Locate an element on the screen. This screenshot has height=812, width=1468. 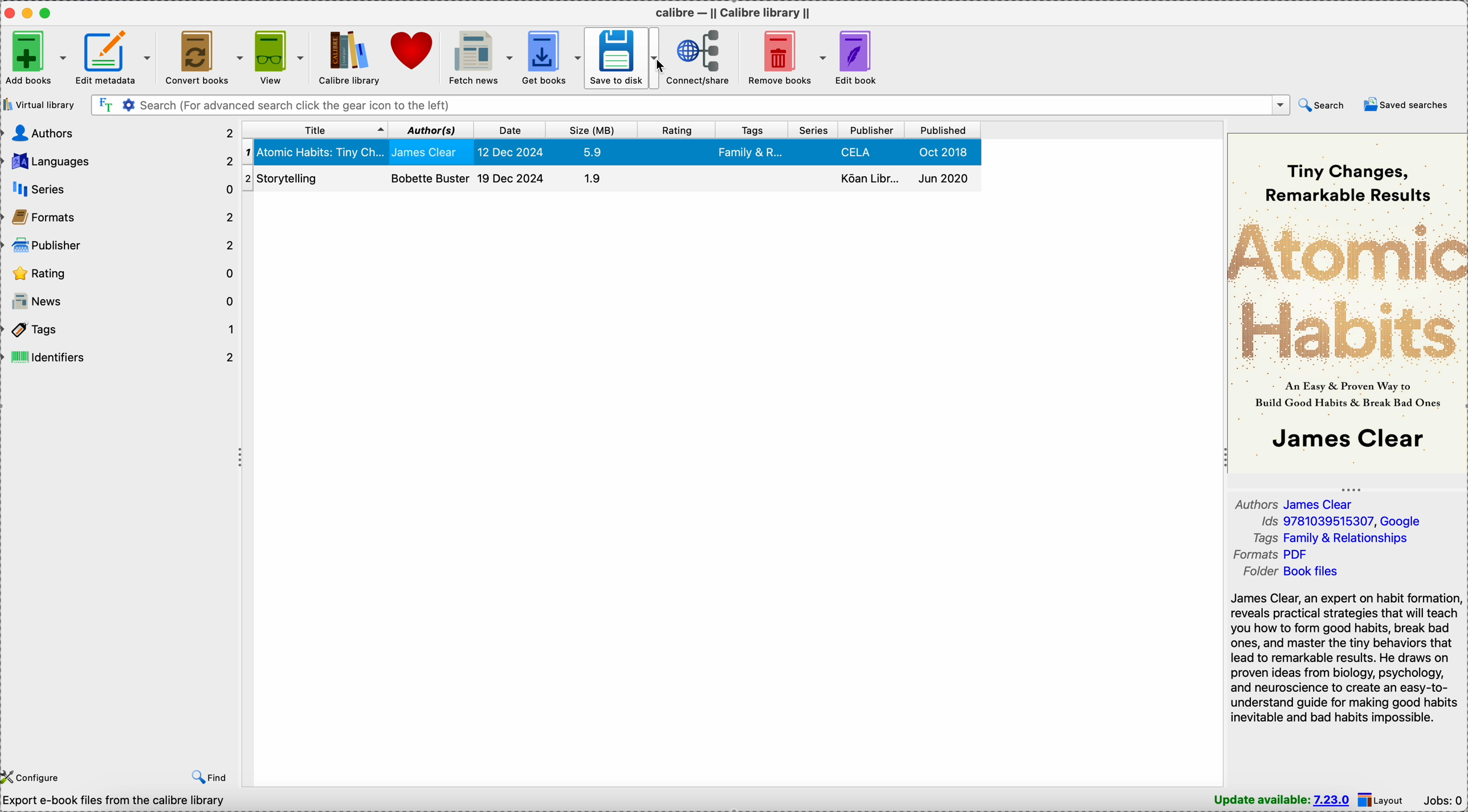
fetch news is located at coordinates (478, 56).